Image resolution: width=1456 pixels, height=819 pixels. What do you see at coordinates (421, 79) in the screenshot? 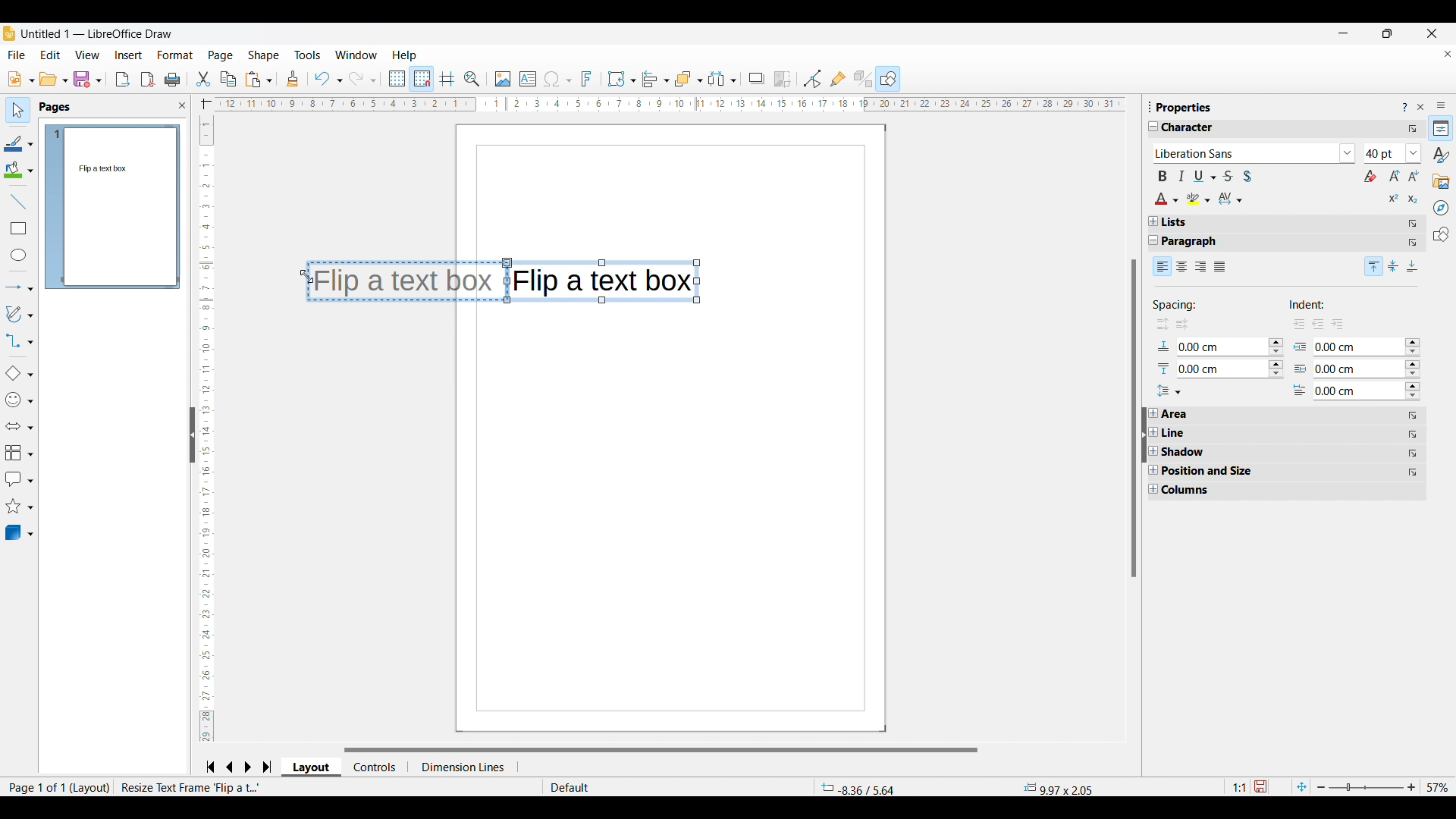
I see `Snap to grid, highlighted` at bounding box center [421, 79].